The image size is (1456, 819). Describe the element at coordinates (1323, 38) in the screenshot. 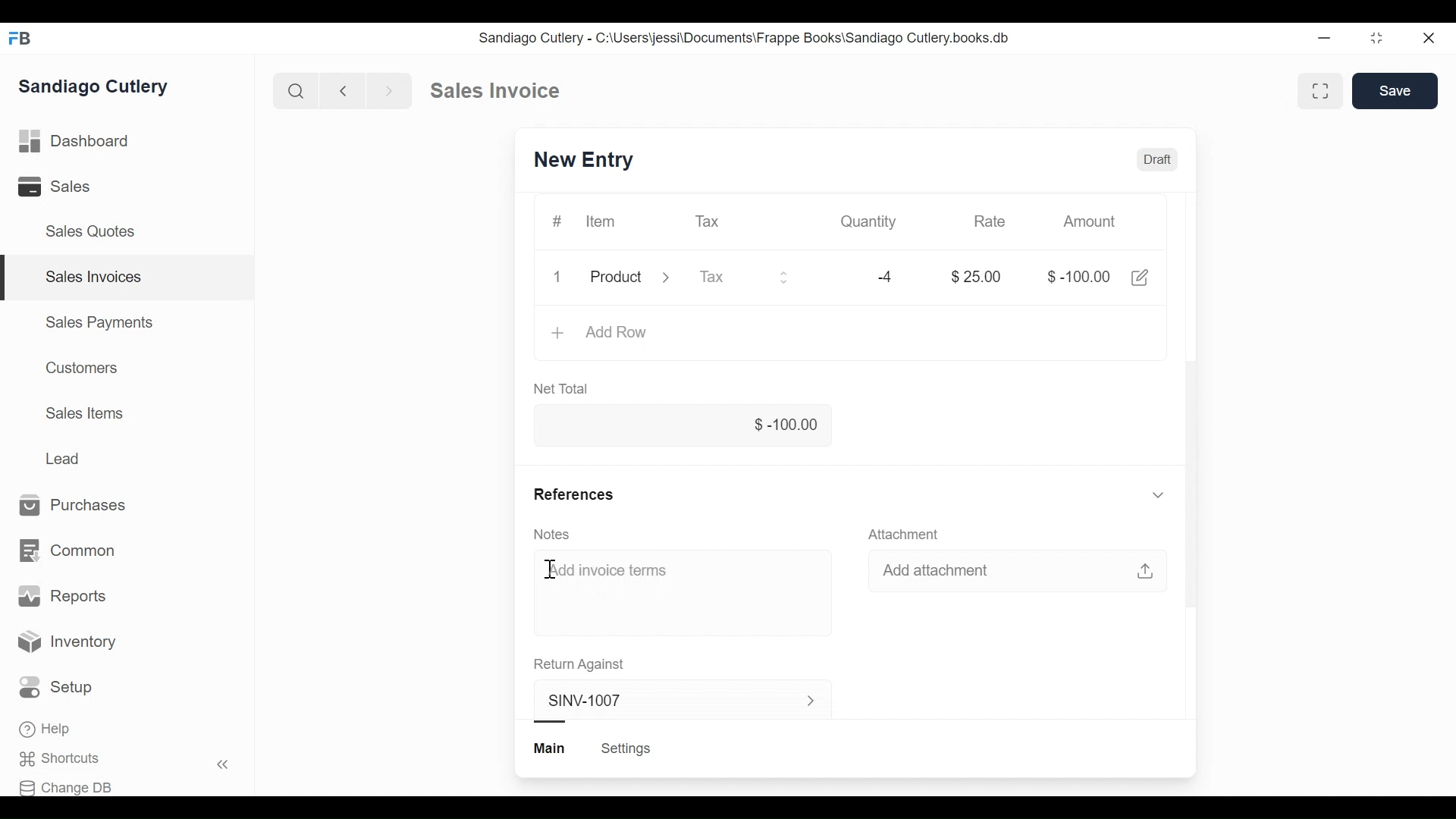

I see `Minimize` at that location.